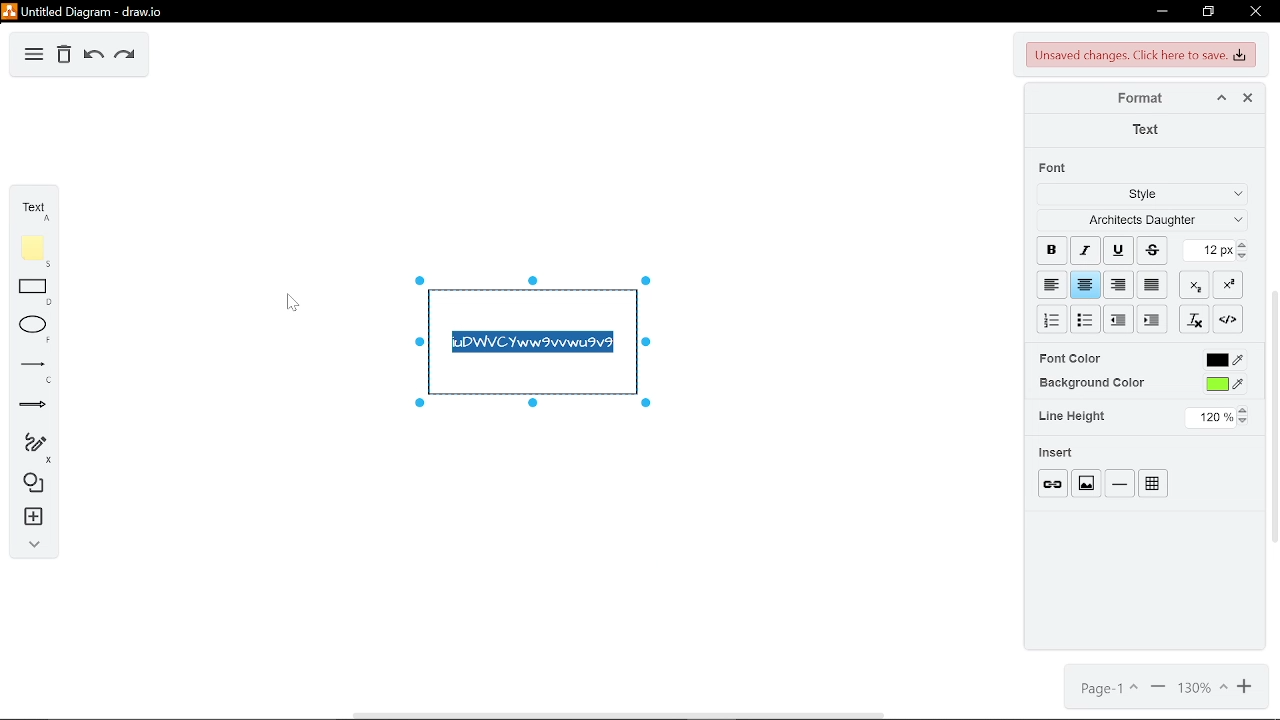 The height and width of the screenshot is (720, 1280). What do you see at coordinates (1196, 319) in the screenshot?
I see `clear formatting` at bounding box center [1196, 319].